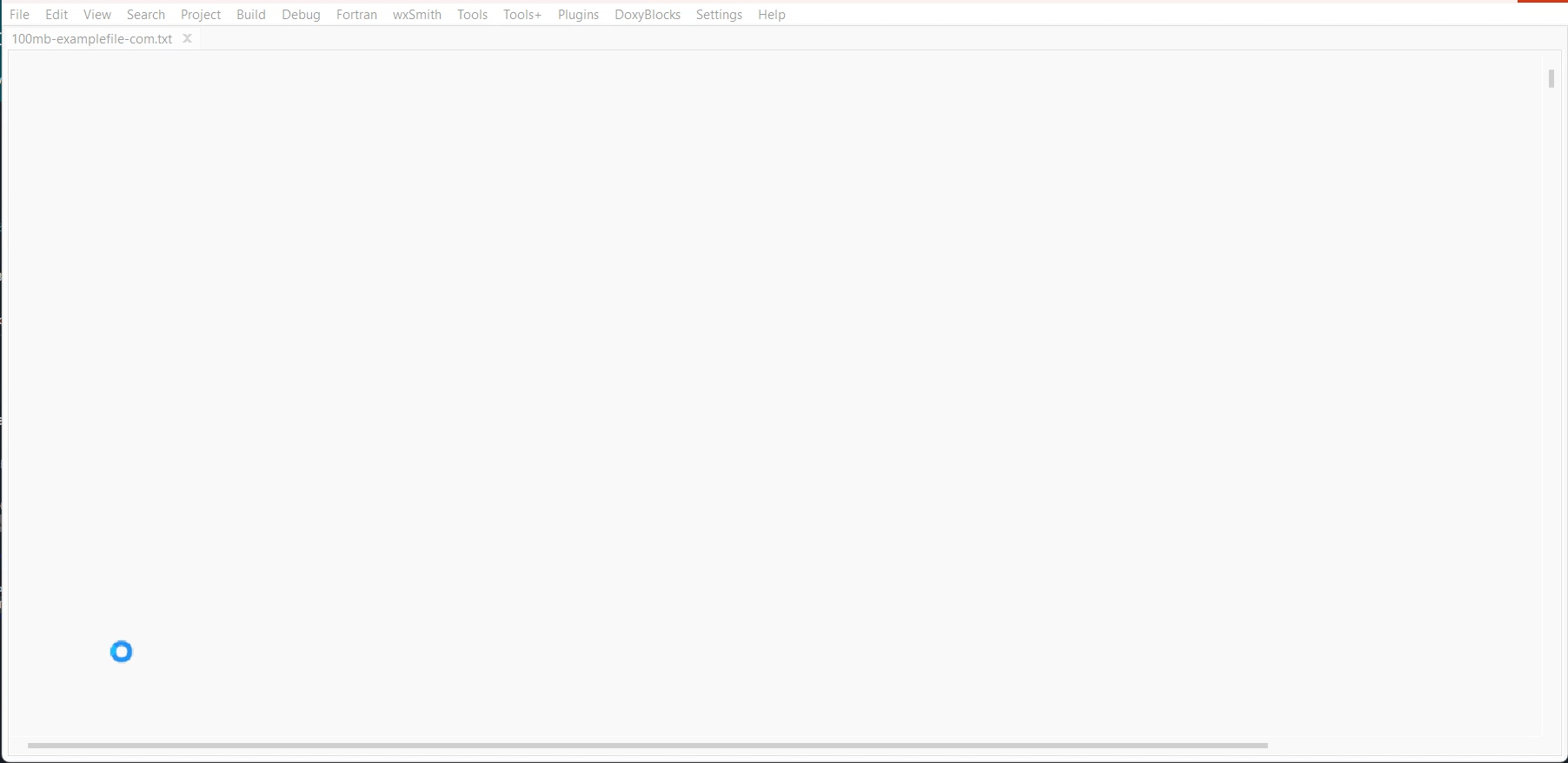  What do you see at coordinates (123, 654) in the screenshot?
I see `Cursor` at bounding box center [123, 654].